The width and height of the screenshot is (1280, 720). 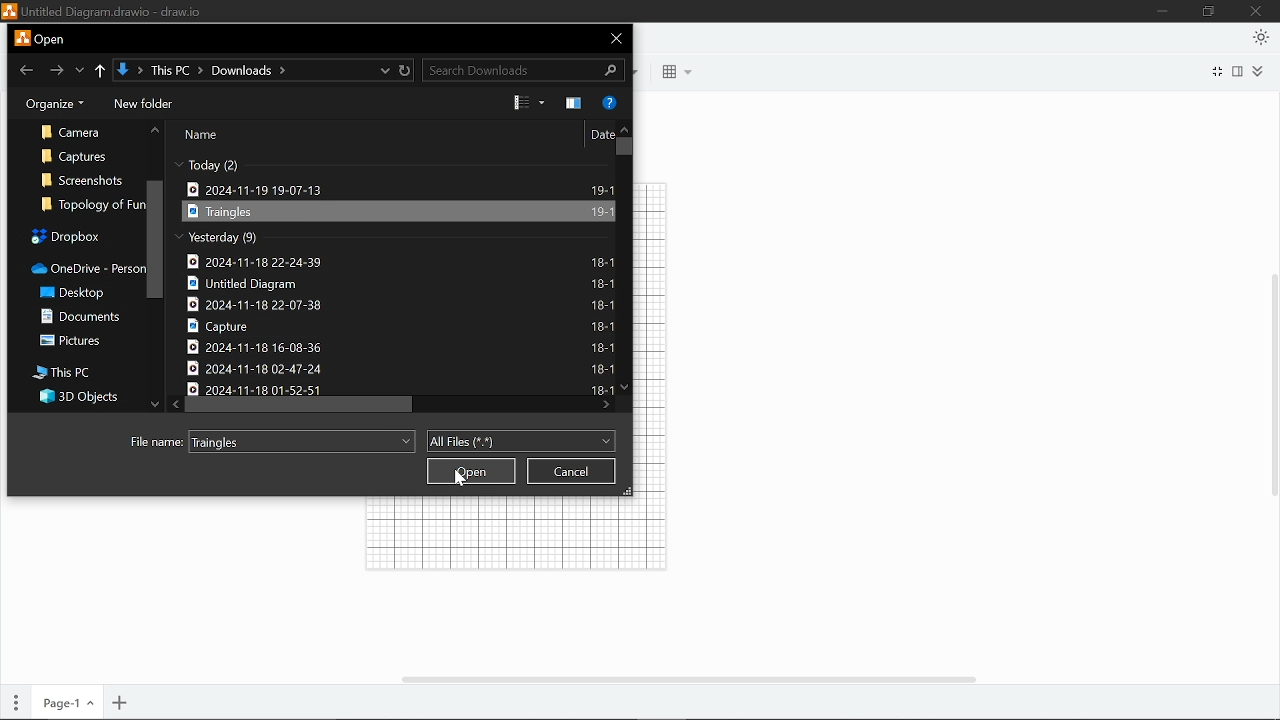 I want to click on Get help, so click(x=609, y=102).